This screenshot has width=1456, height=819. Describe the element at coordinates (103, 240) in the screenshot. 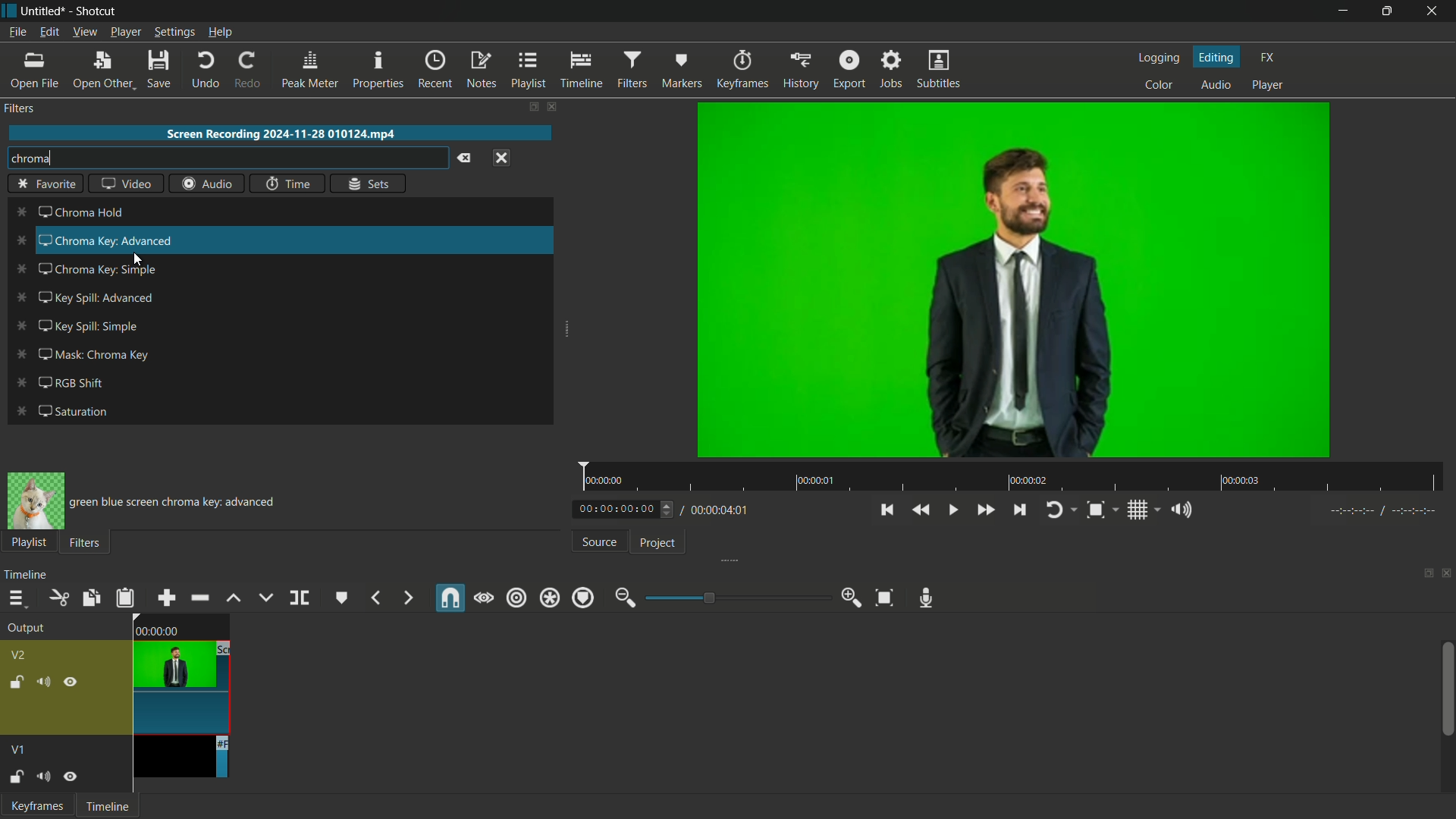

I see `chroma key advanced` at that location.